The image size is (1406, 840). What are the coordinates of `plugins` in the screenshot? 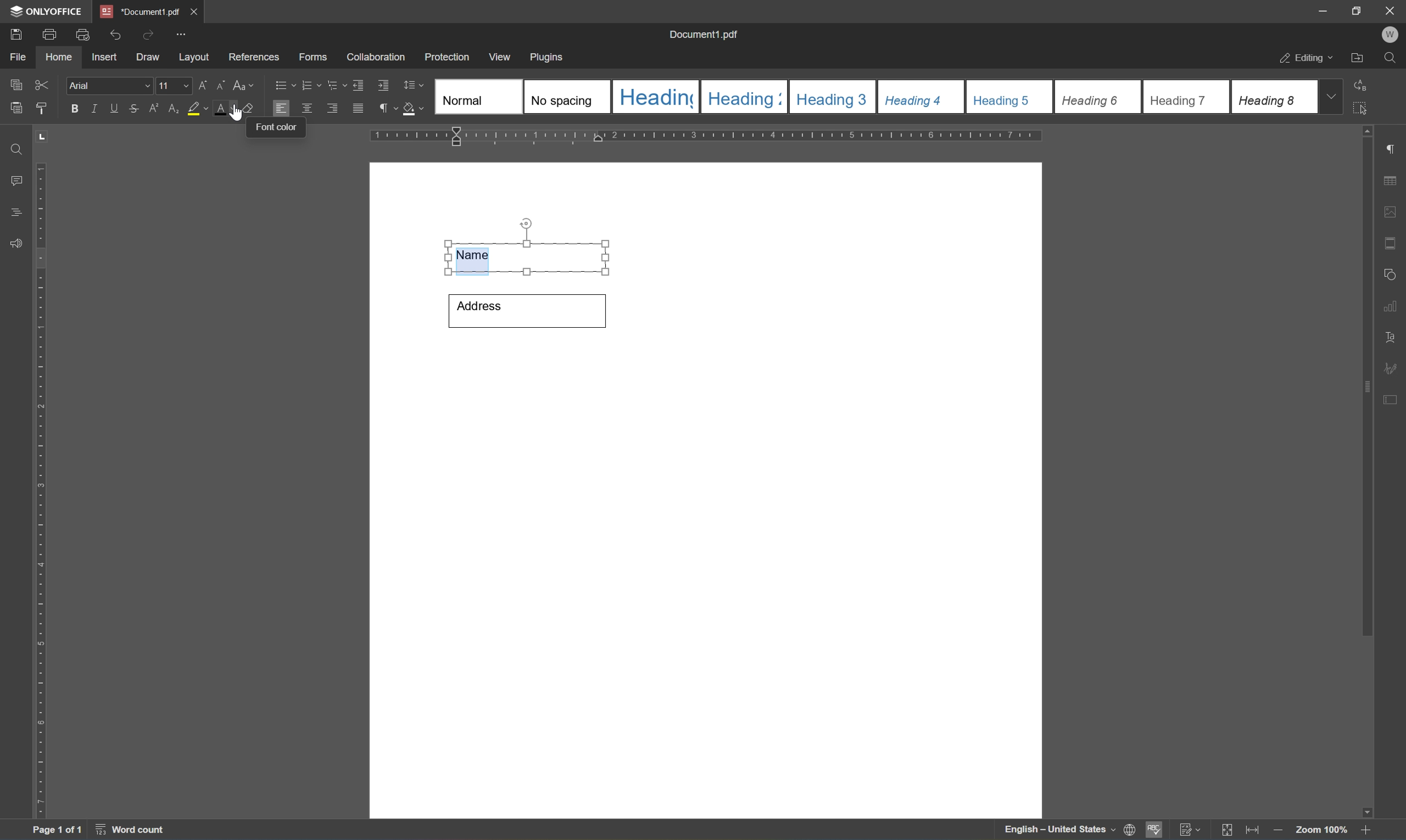 It's located at (551, 56).